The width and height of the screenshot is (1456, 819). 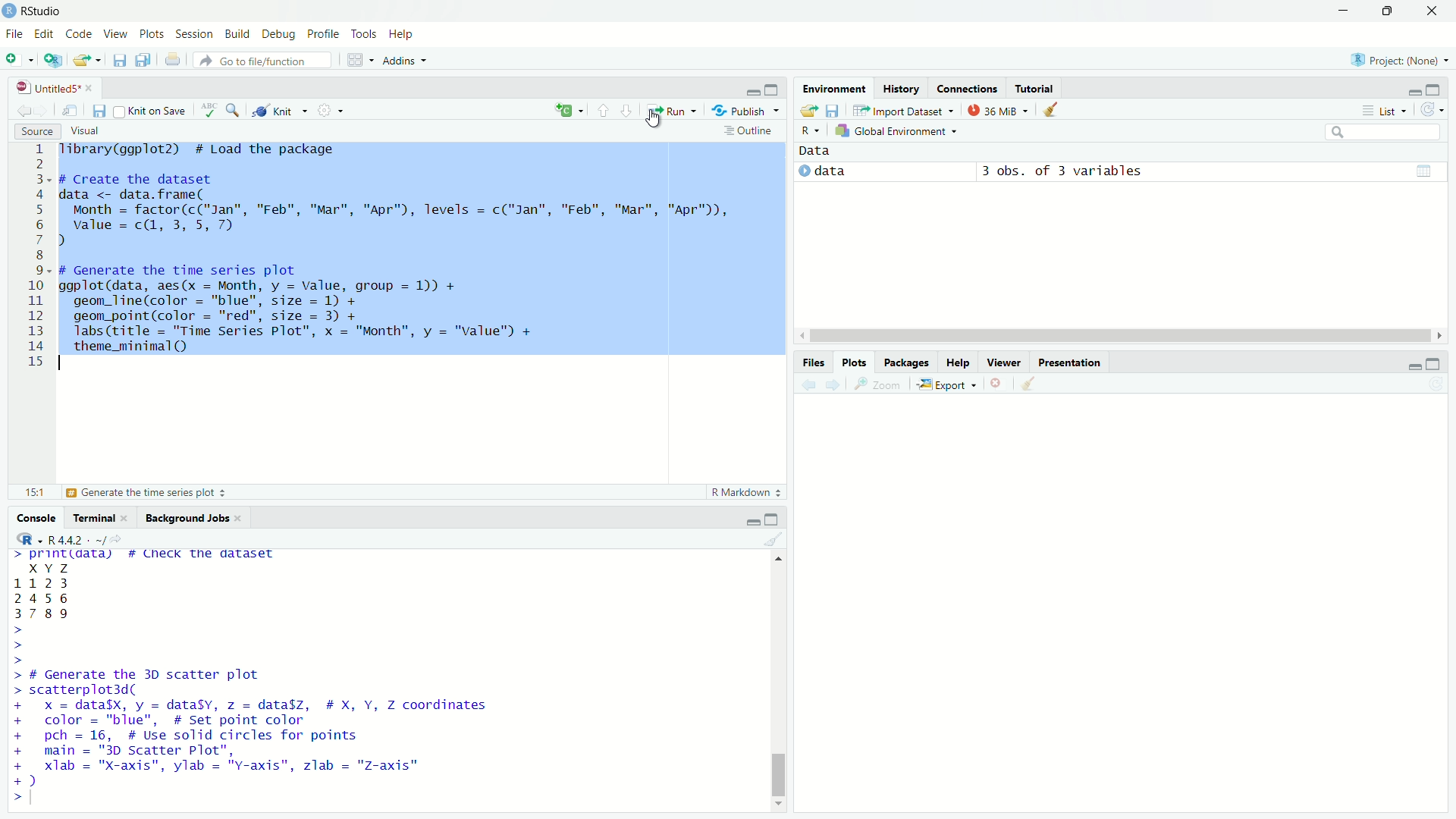 I want to click on export, so click(x=946, y=384).